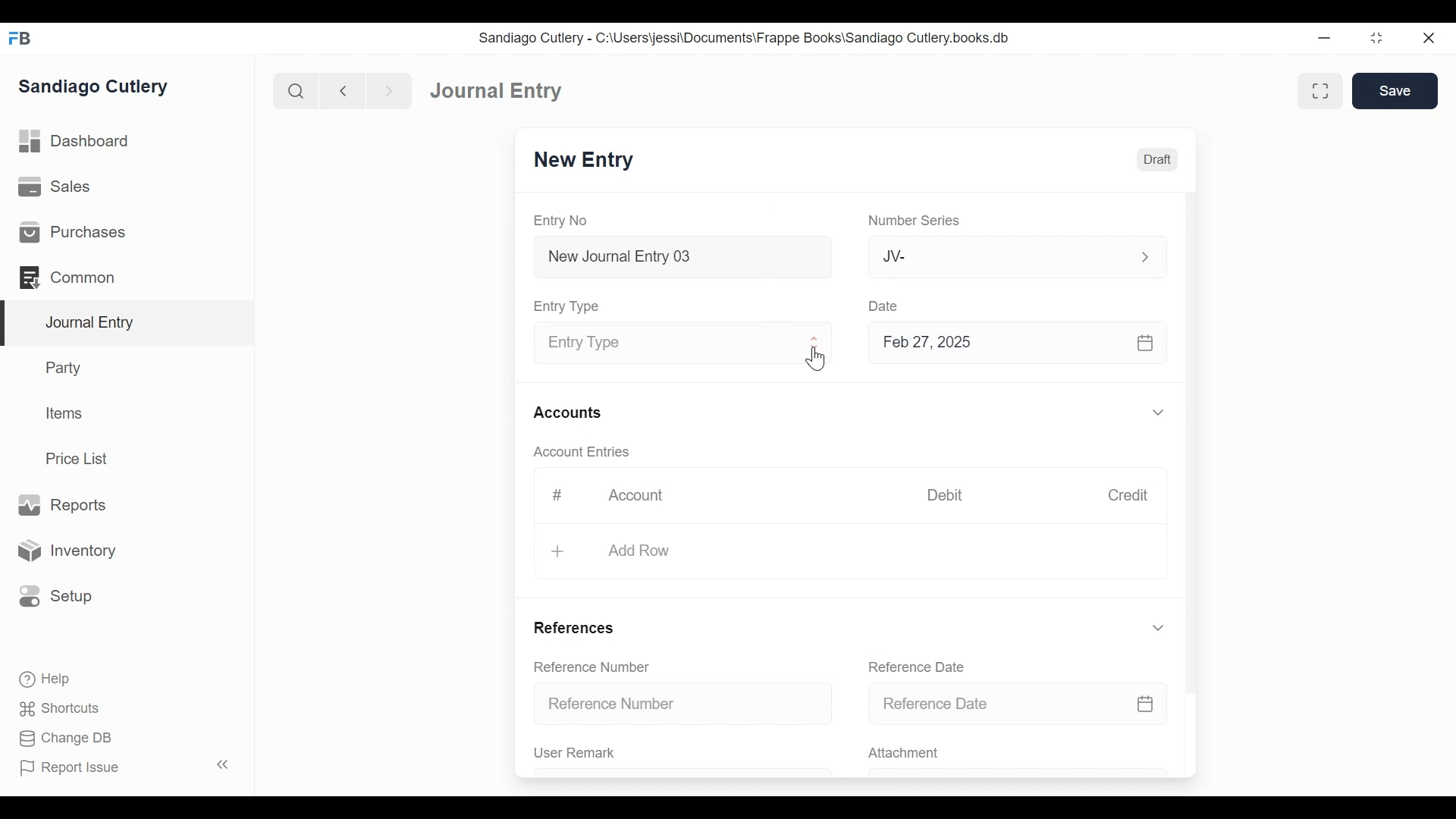 This screenshot has height=819, width=1456. I want to click on Cursor, so click(817, 360).